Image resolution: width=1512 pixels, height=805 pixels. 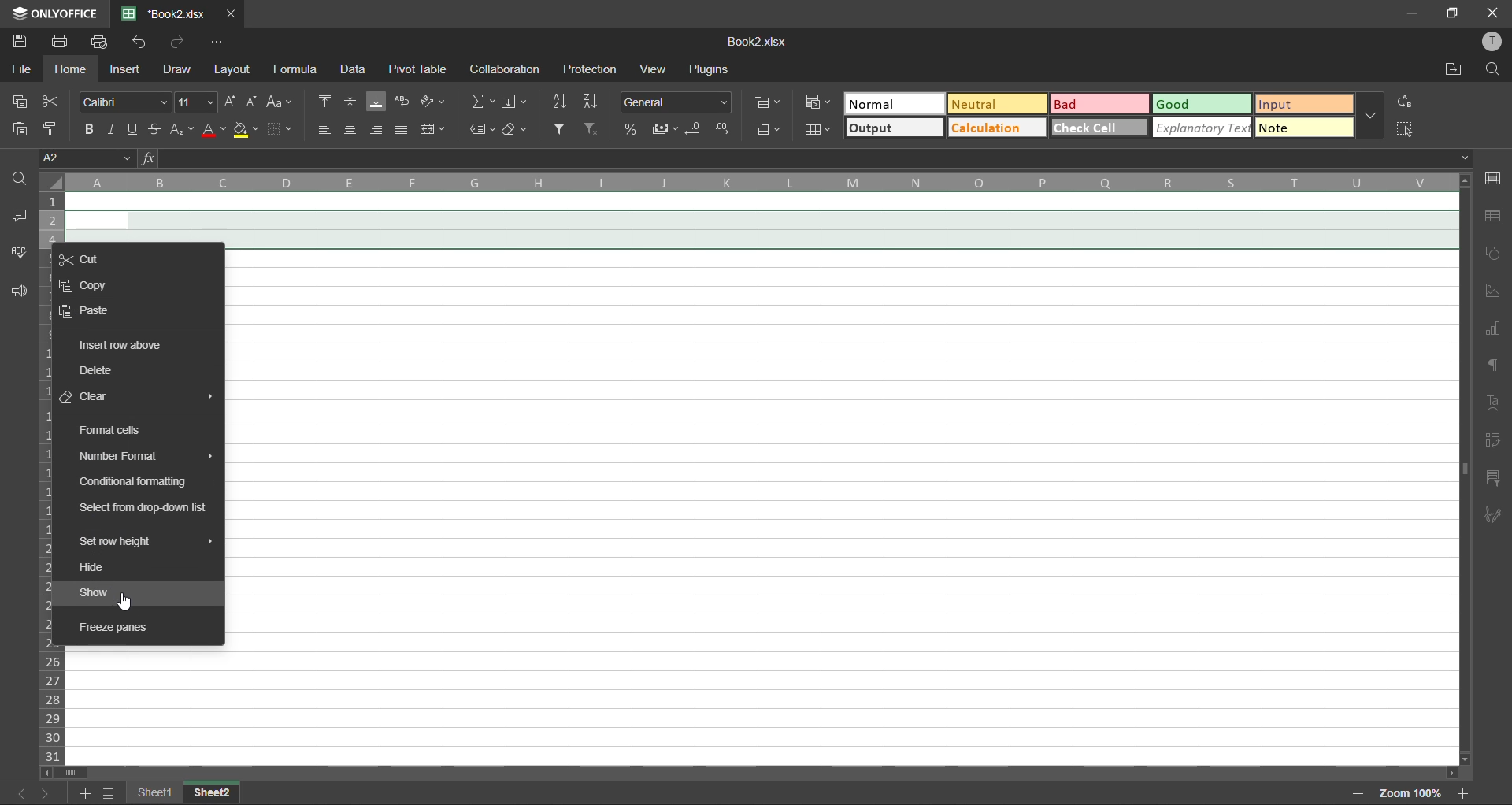 I want to click on align center, so click(x=352, y=129).